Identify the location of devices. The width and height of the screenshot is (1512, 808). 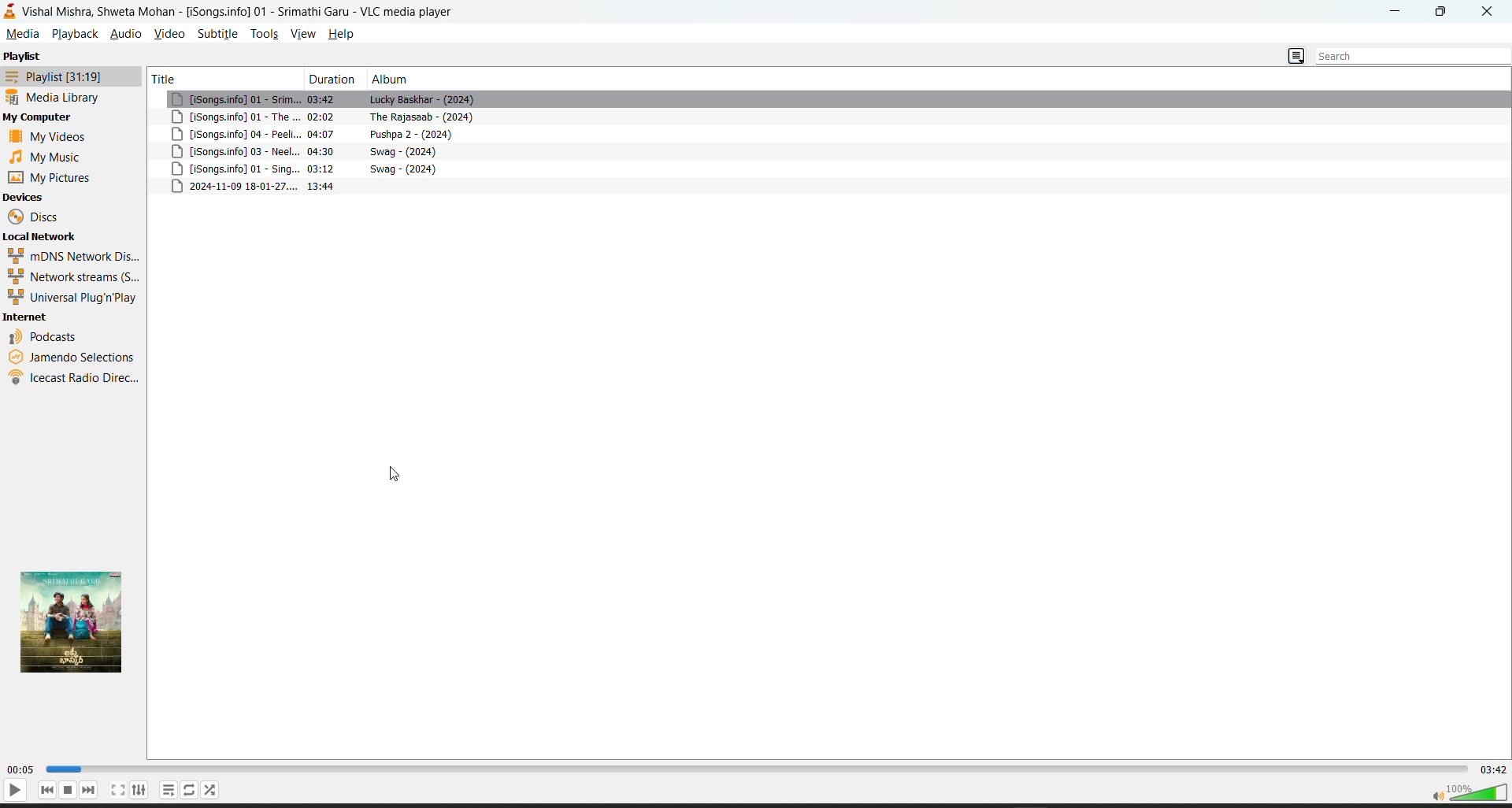
(24, 196).